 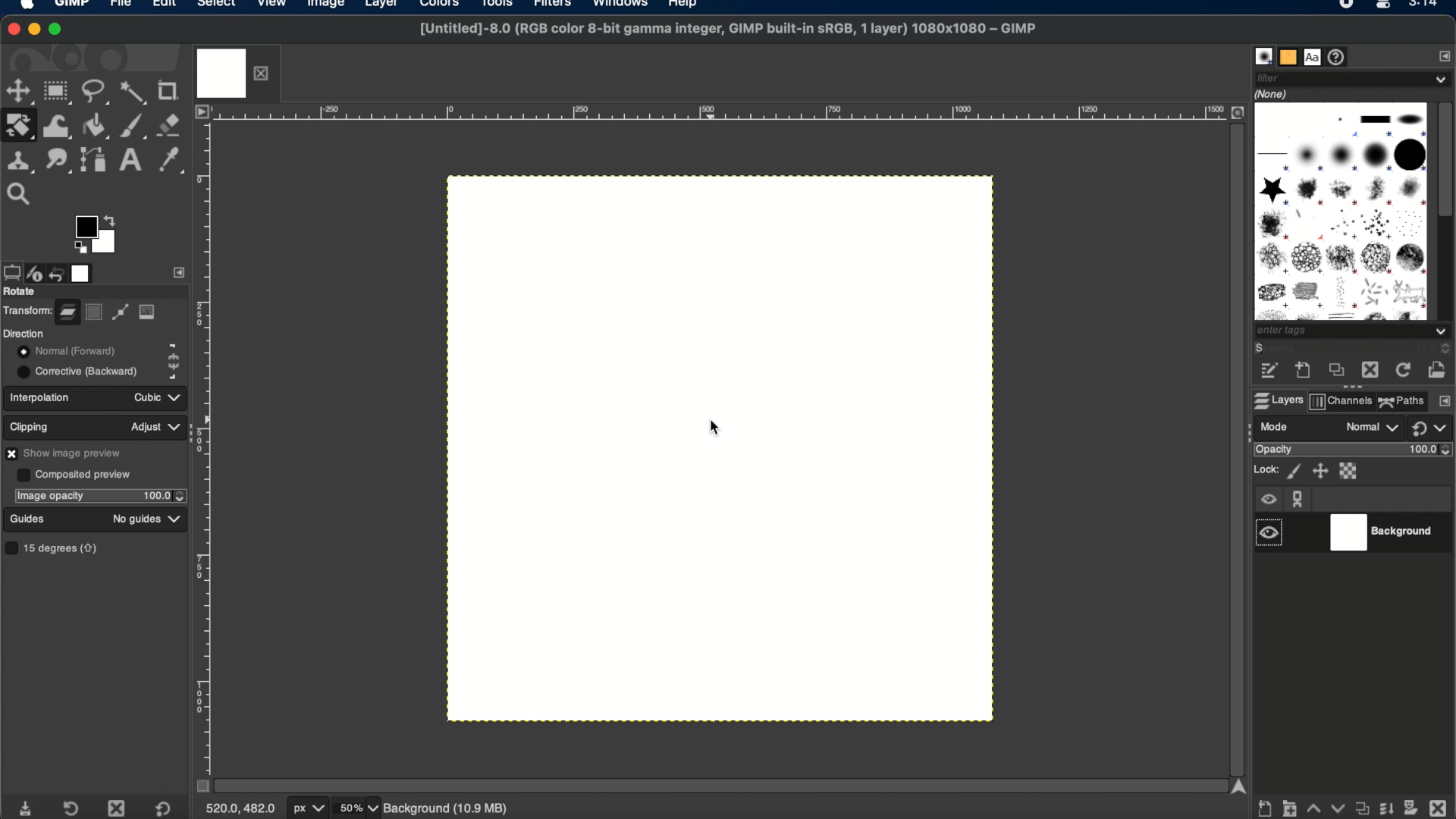 What do you see at coordinates (1237, 113) in the screenshot?
I see `zoom image when window size changes` at bounding box center [1237, 113].